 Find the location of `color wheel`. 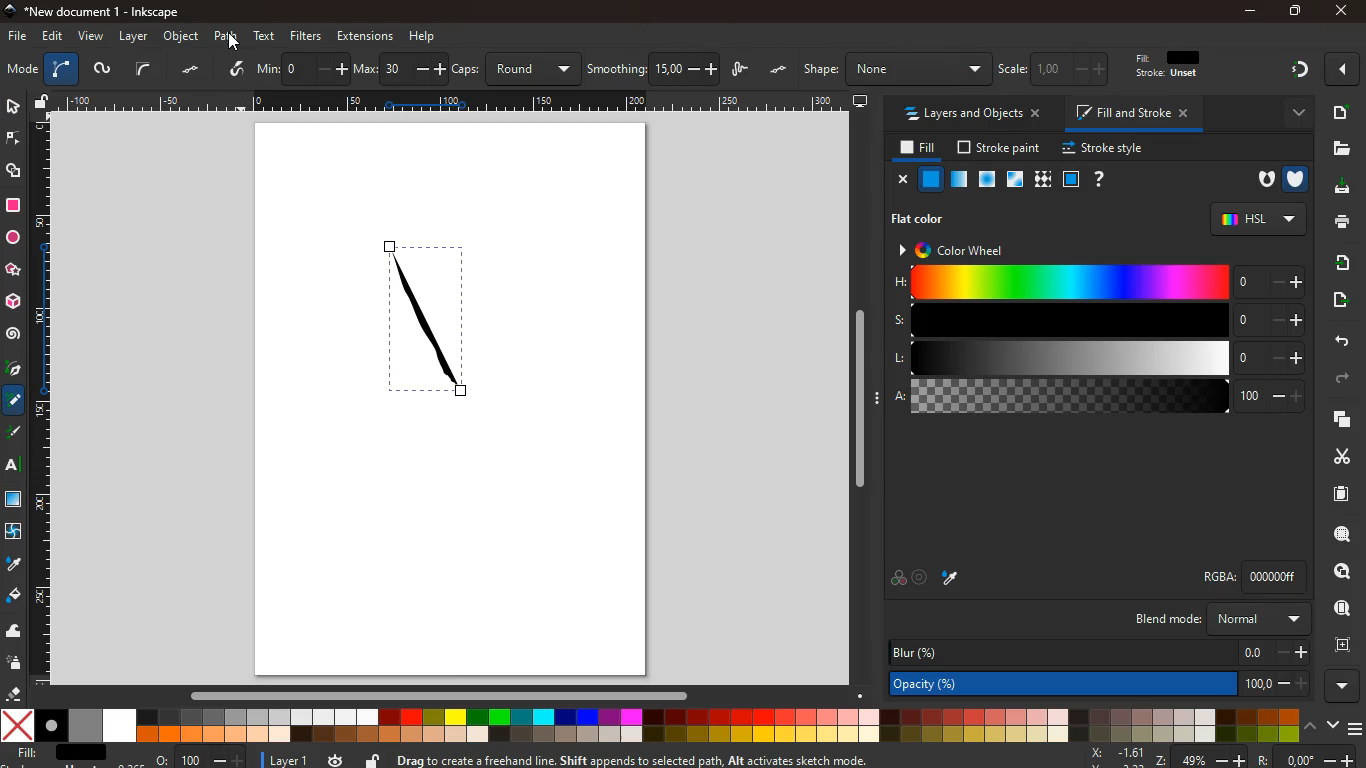

color wheel is located at coordinates (966, 251).